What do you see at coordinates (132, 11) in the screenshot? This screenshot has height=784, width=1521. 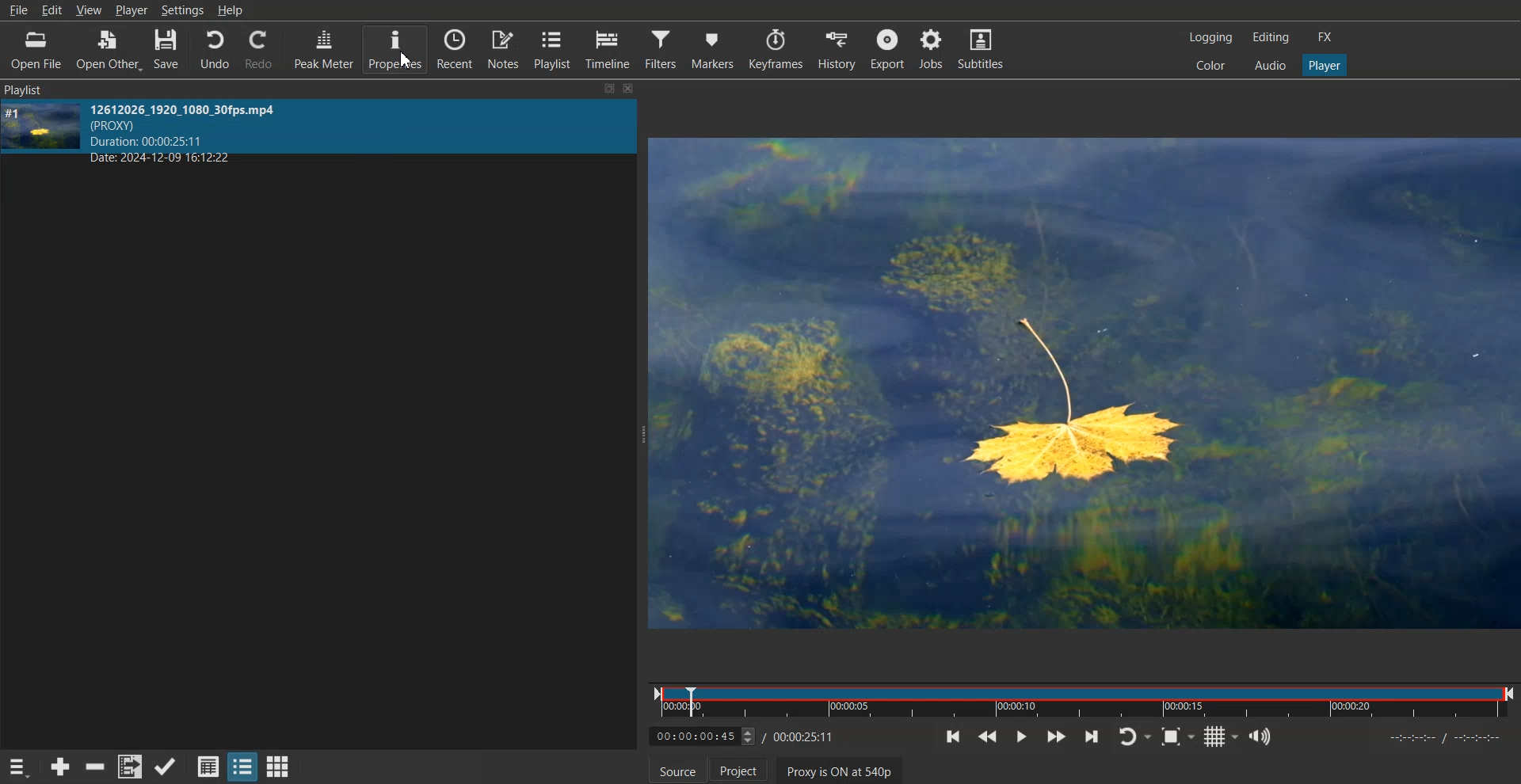 I see `Player` at bounding box center [132, 11].